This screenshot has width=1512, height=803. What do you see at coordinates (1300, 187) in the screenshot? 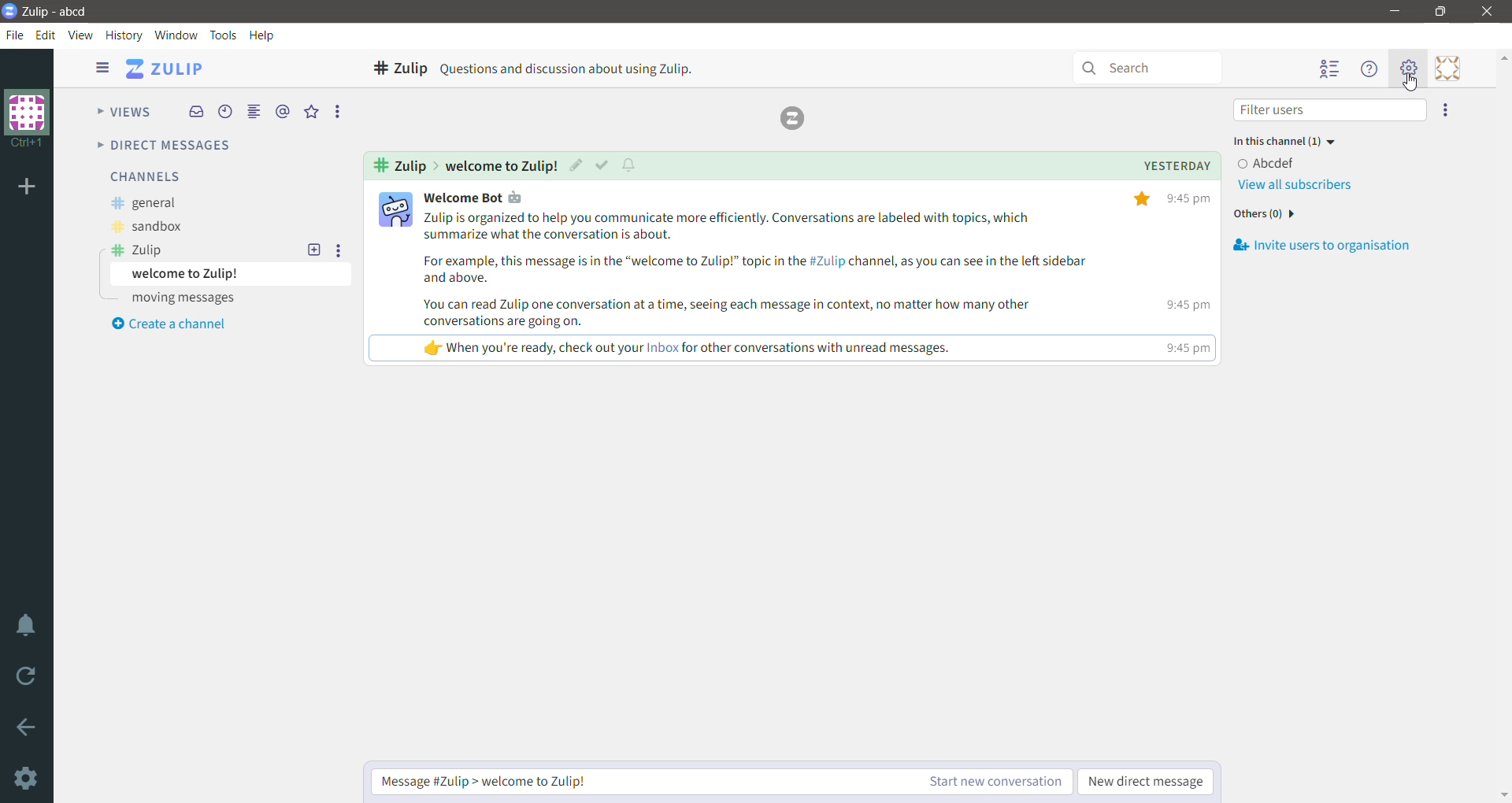
I see `View all subscribers` at bounding box center [1300, 187].